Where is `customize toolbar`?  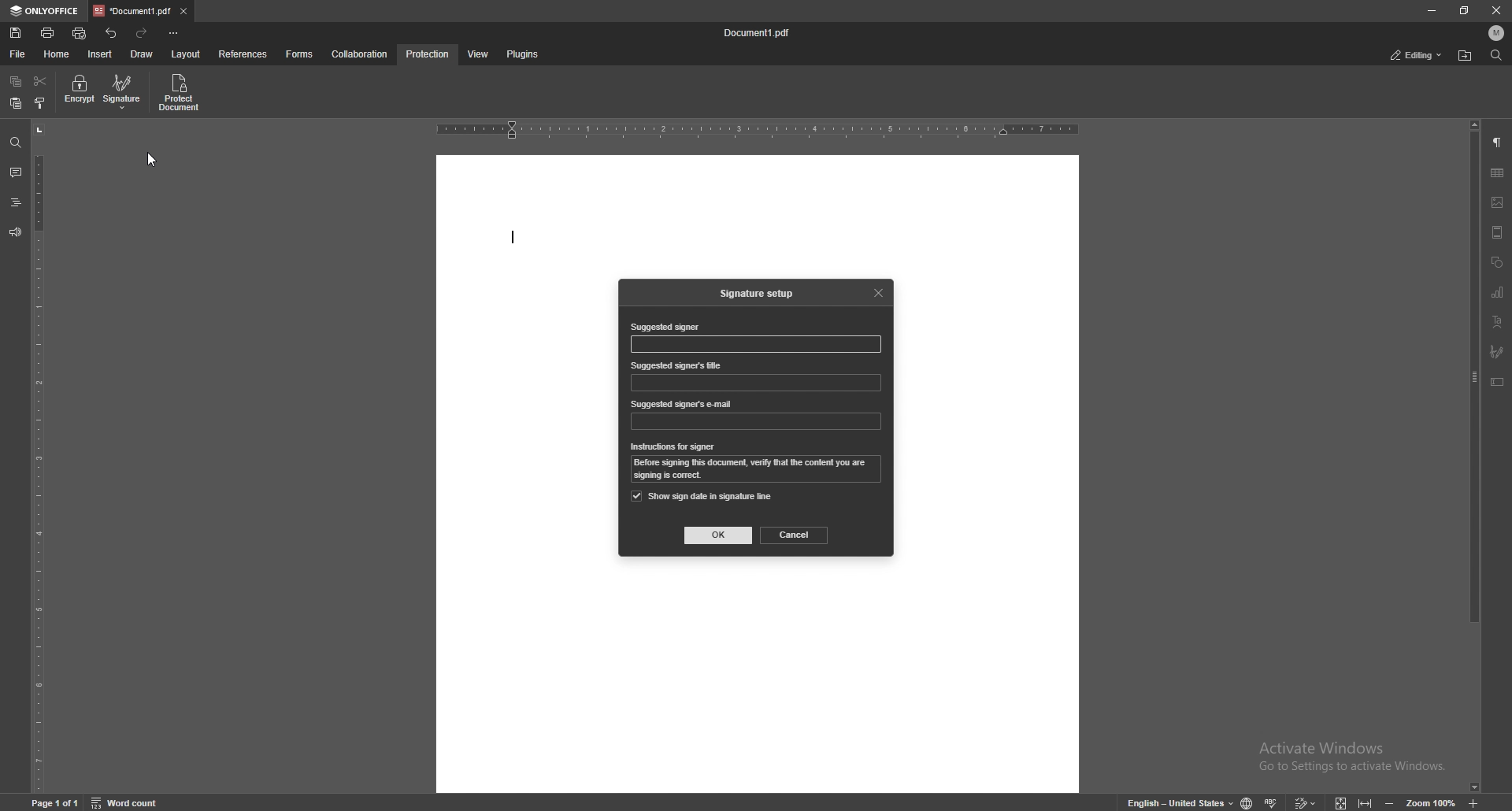 customize toolbar is located at coordinates (173, 32).